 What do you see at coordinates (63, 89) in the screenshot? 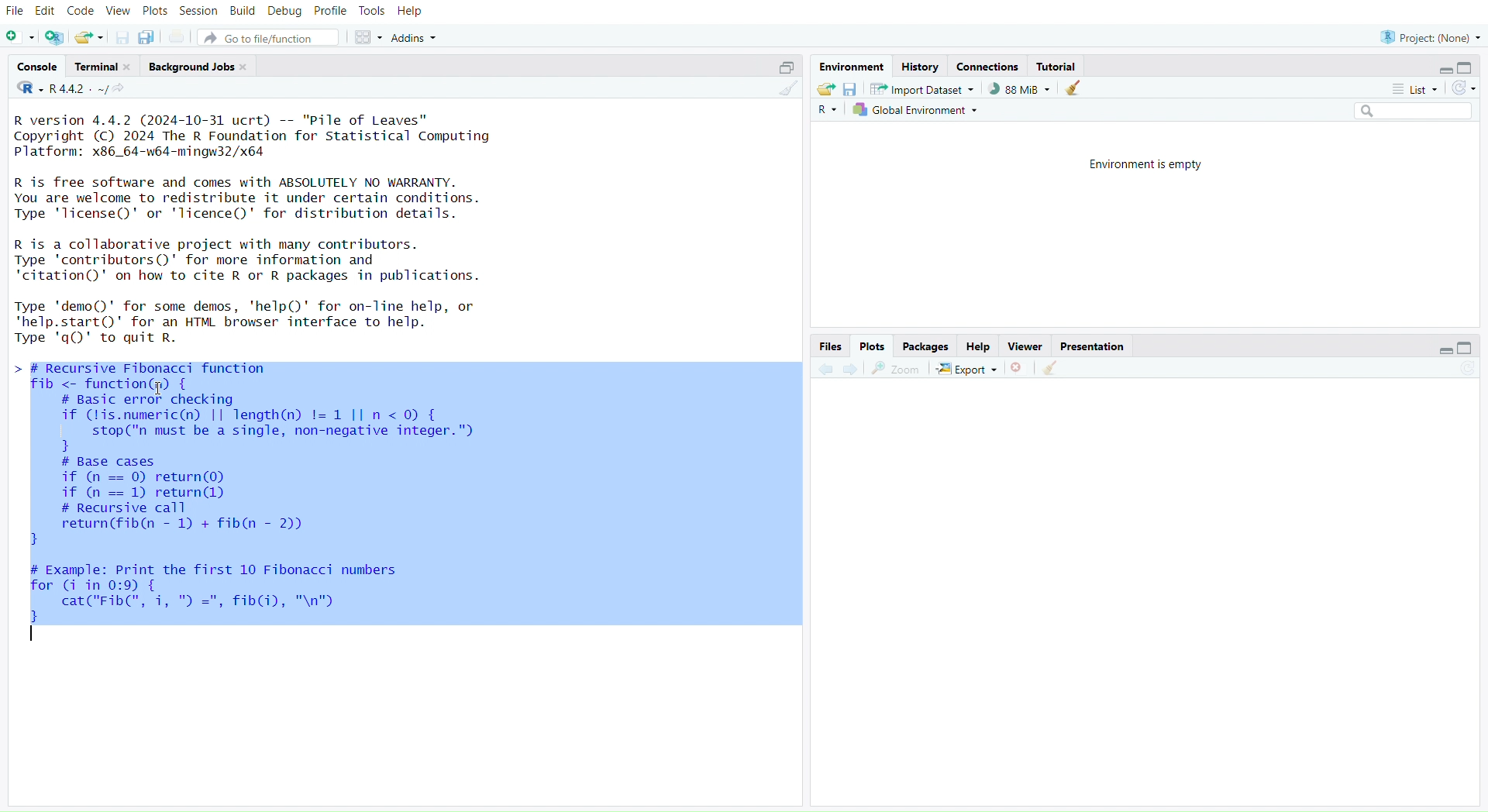
I see `R 4.4.2` at bounding box center [63, 89].